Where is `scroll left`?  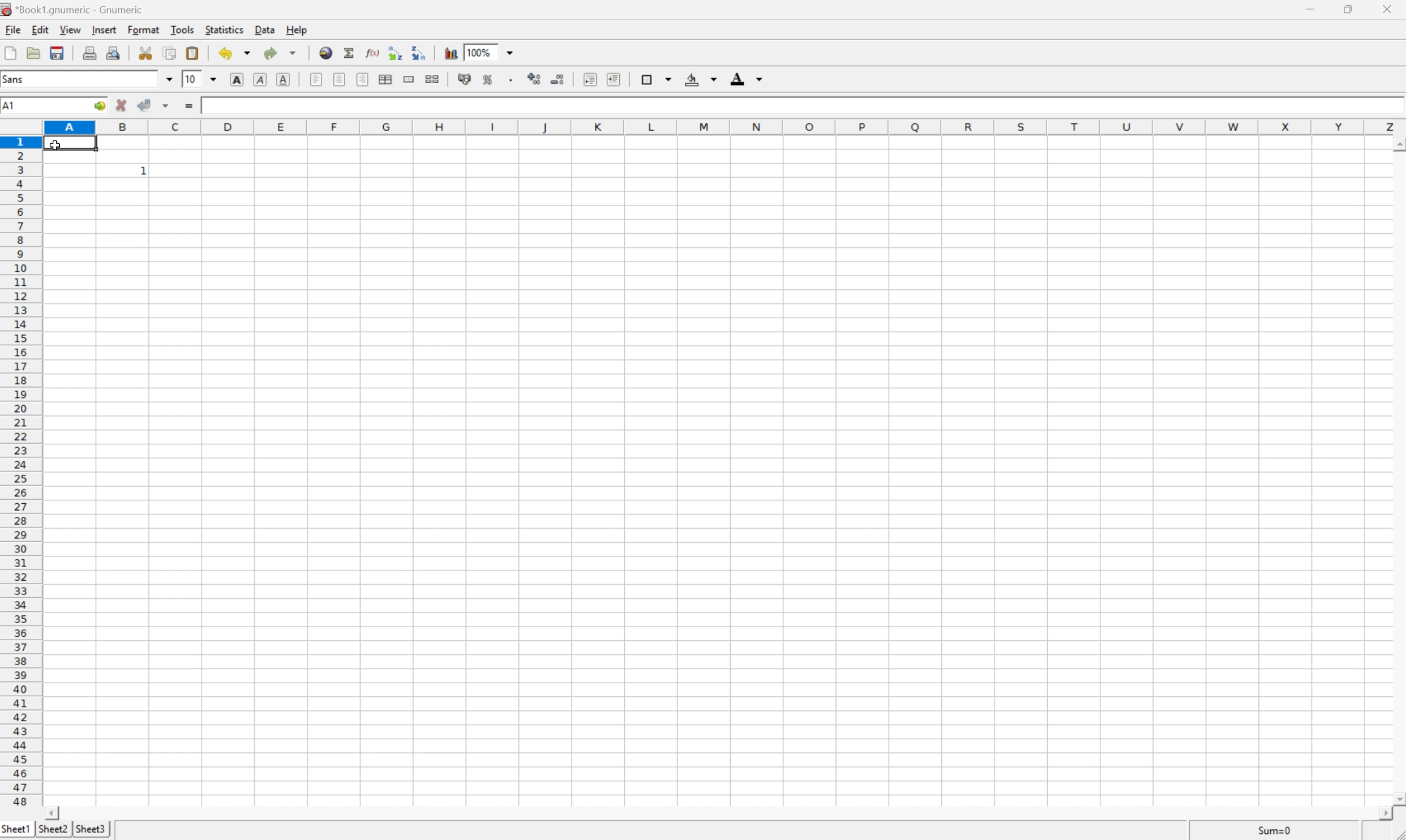 scroll left is located at coordinates (54, 813).